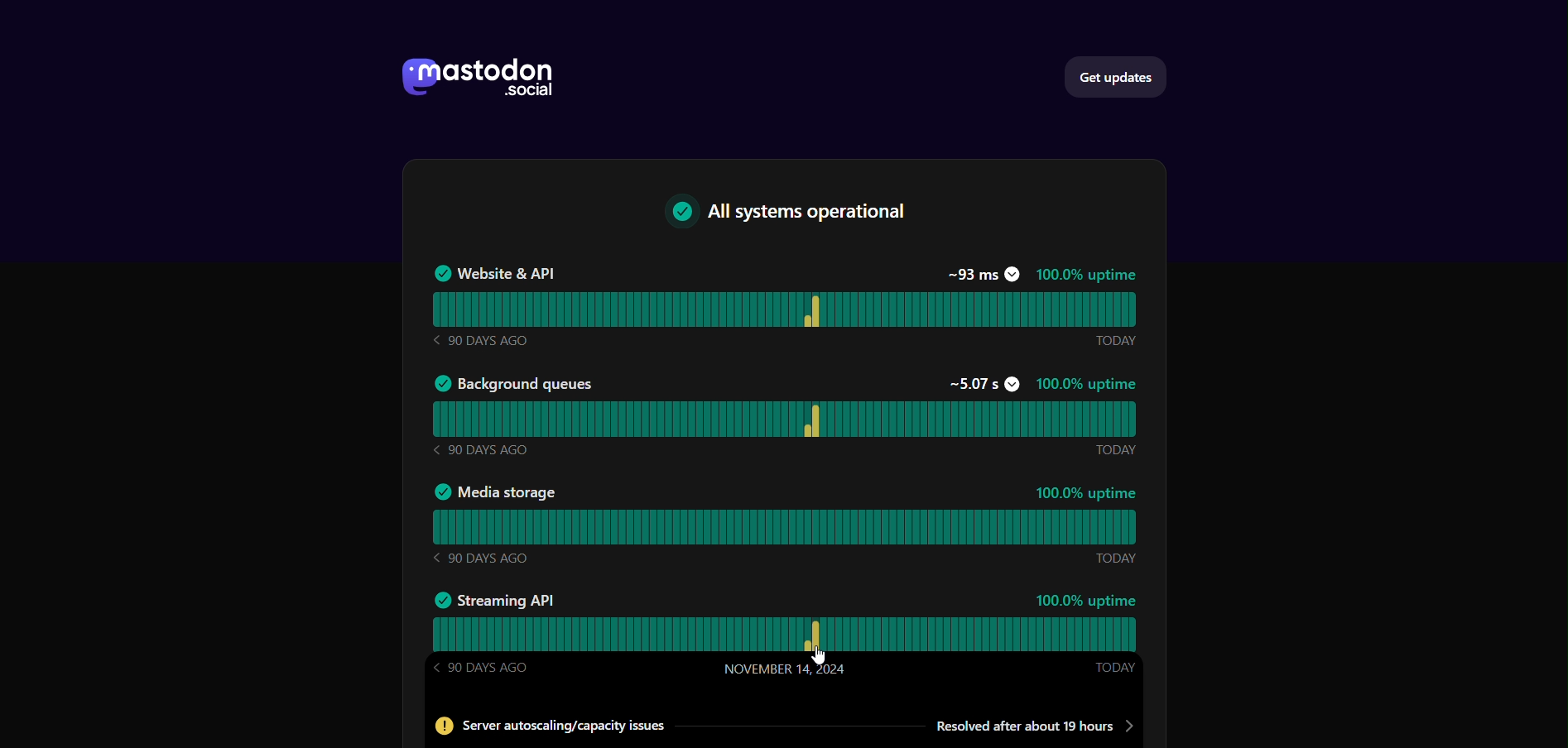 This screenshot has height=748, width=1568. I want to click on ~93ms, so click(982, 274).